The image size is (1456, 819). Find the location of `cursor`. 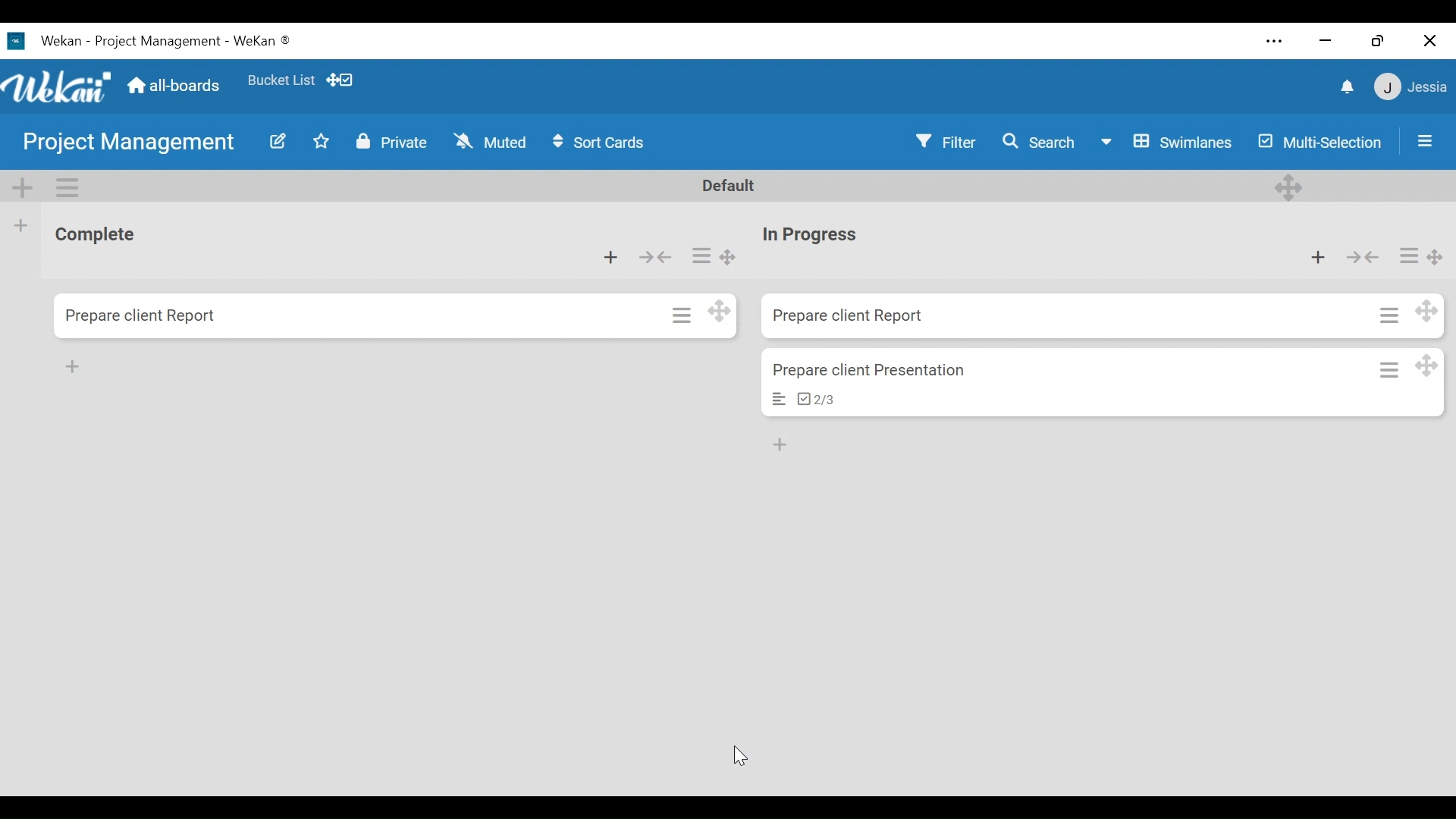

cursor is located at coordinates (744, 753).